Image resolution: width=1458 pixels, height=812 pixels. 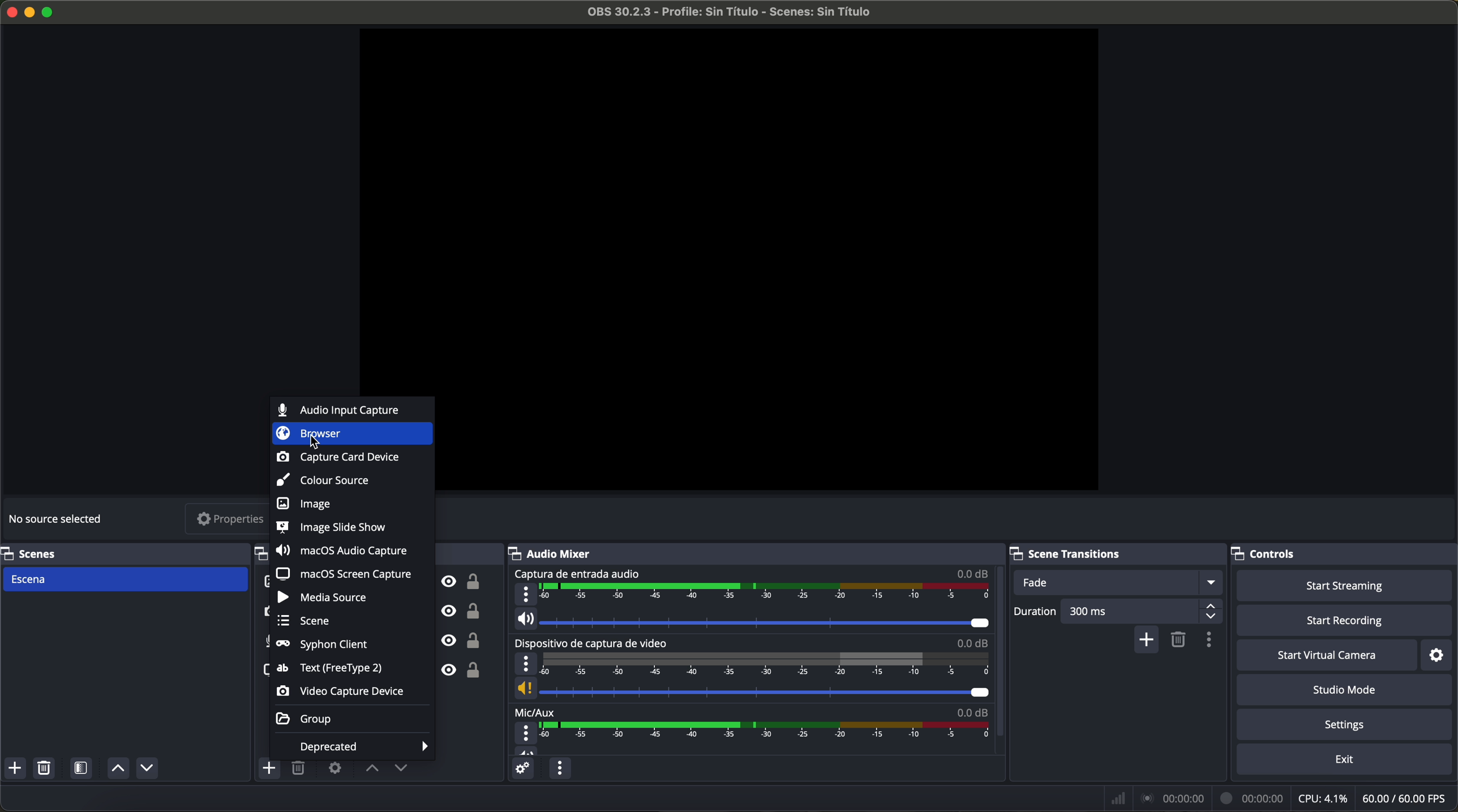 I want to click on macOS screen capture, so click(x=342, y=575).